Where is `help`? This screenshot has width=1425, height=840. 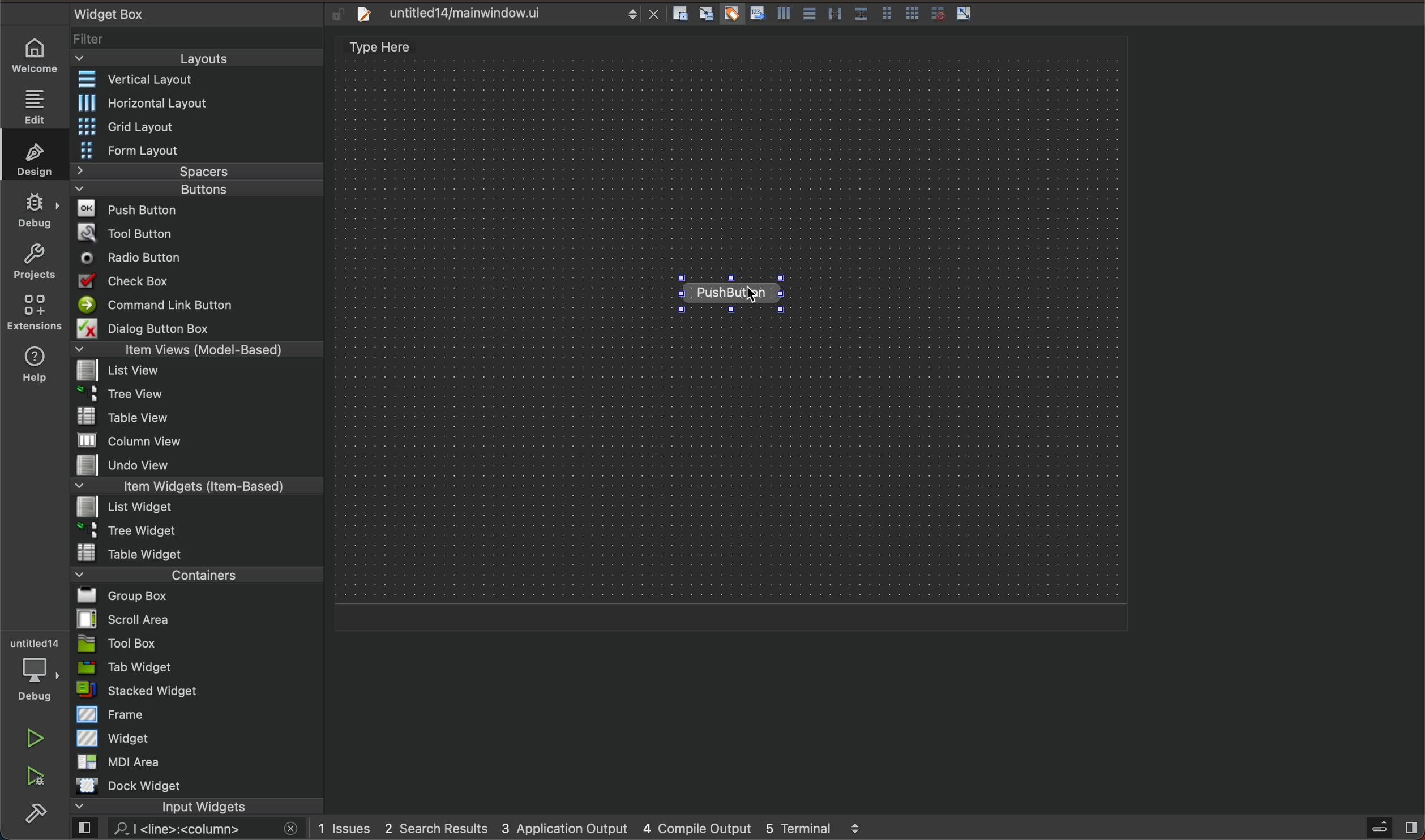 help is located at coordinates (33, 364).